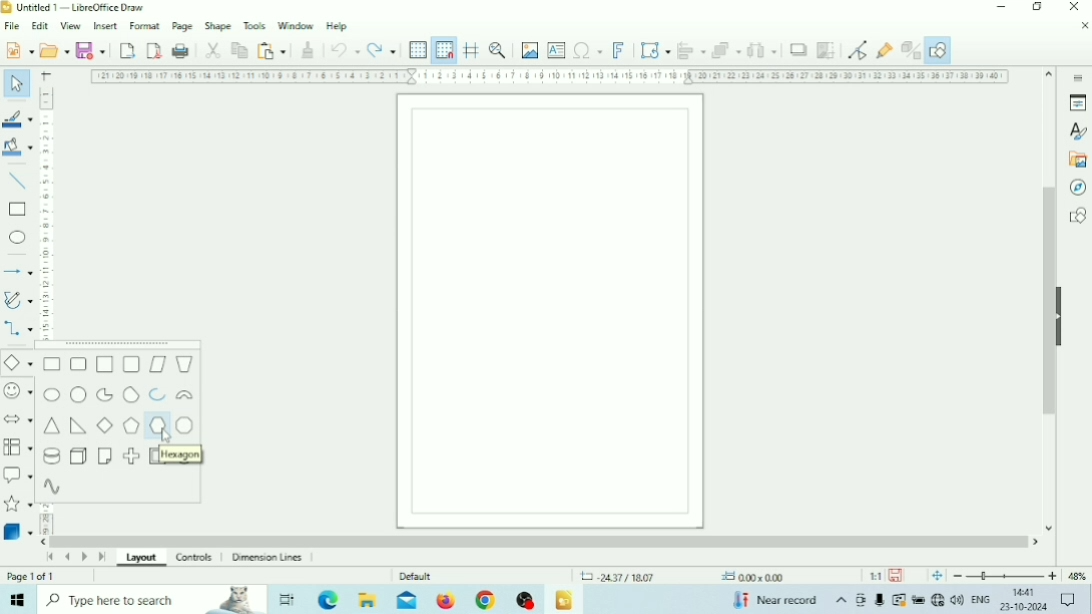  What do you see at coordinates (196, 558) in the screenshot?
I see `Controls` at bounding box center [196, 558].